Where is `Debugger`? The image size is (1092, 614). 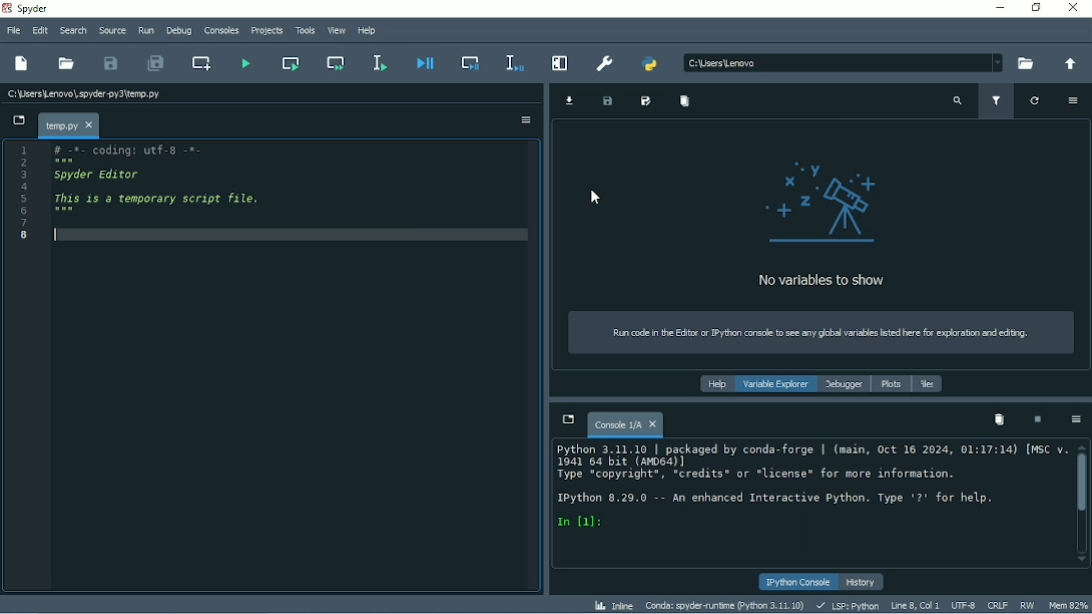
Debugger is located at coordinates (844, 385).